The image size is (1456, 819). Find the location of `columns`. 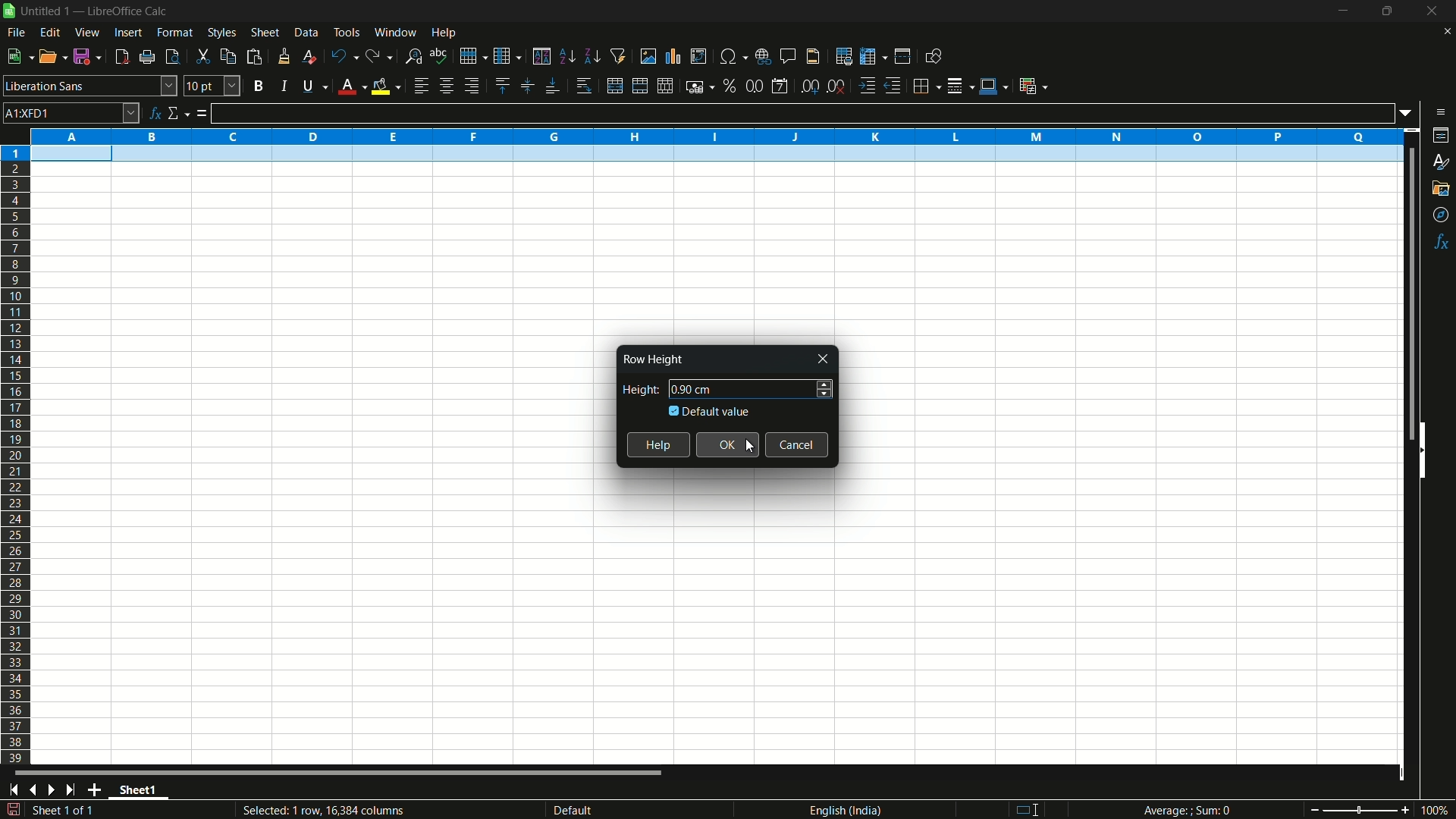

columns is located at coordinates (716, 135).